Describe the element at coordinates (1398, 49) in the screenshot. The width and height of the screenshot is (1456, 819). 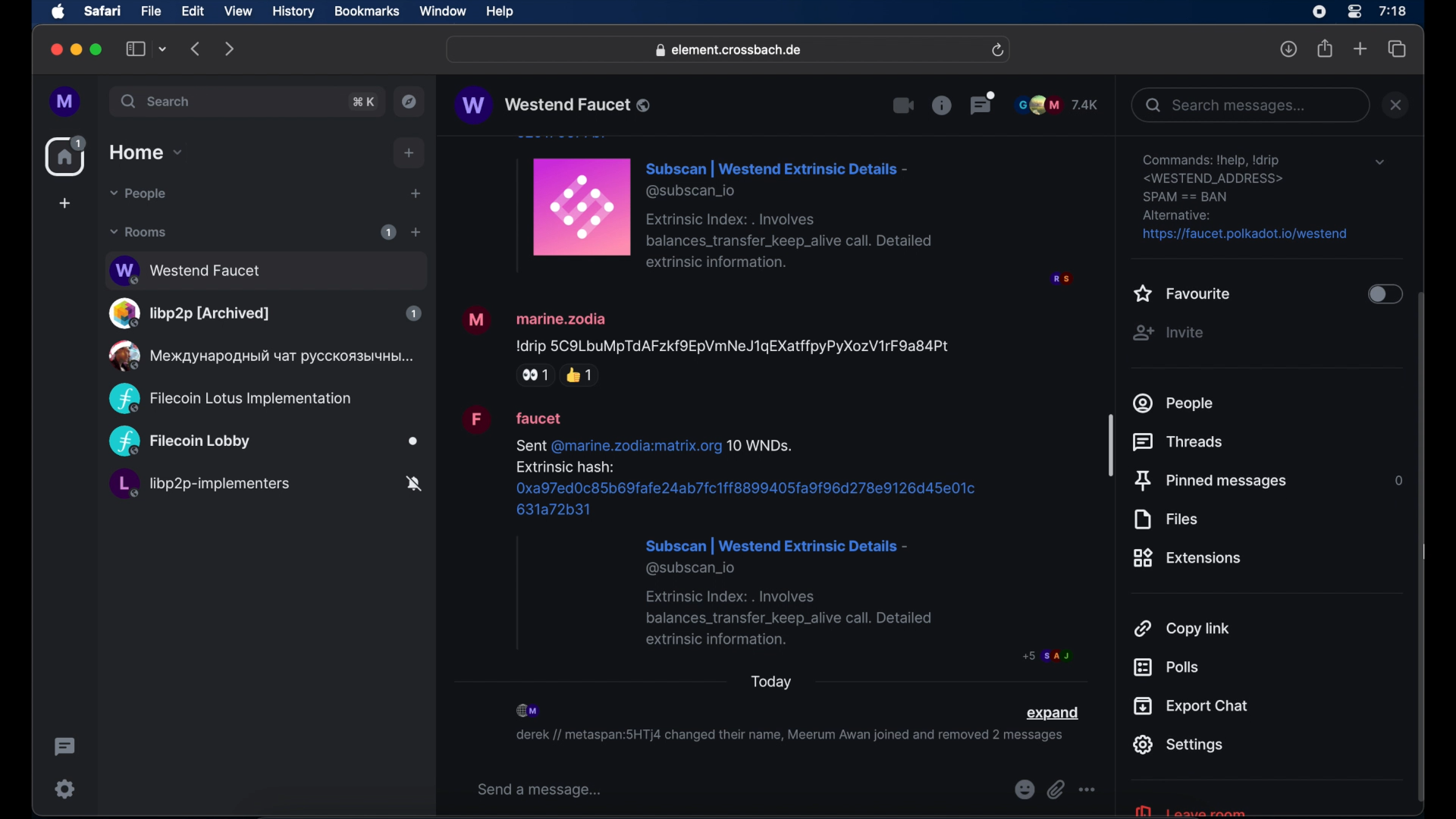
I see `show tab overview` at that location.